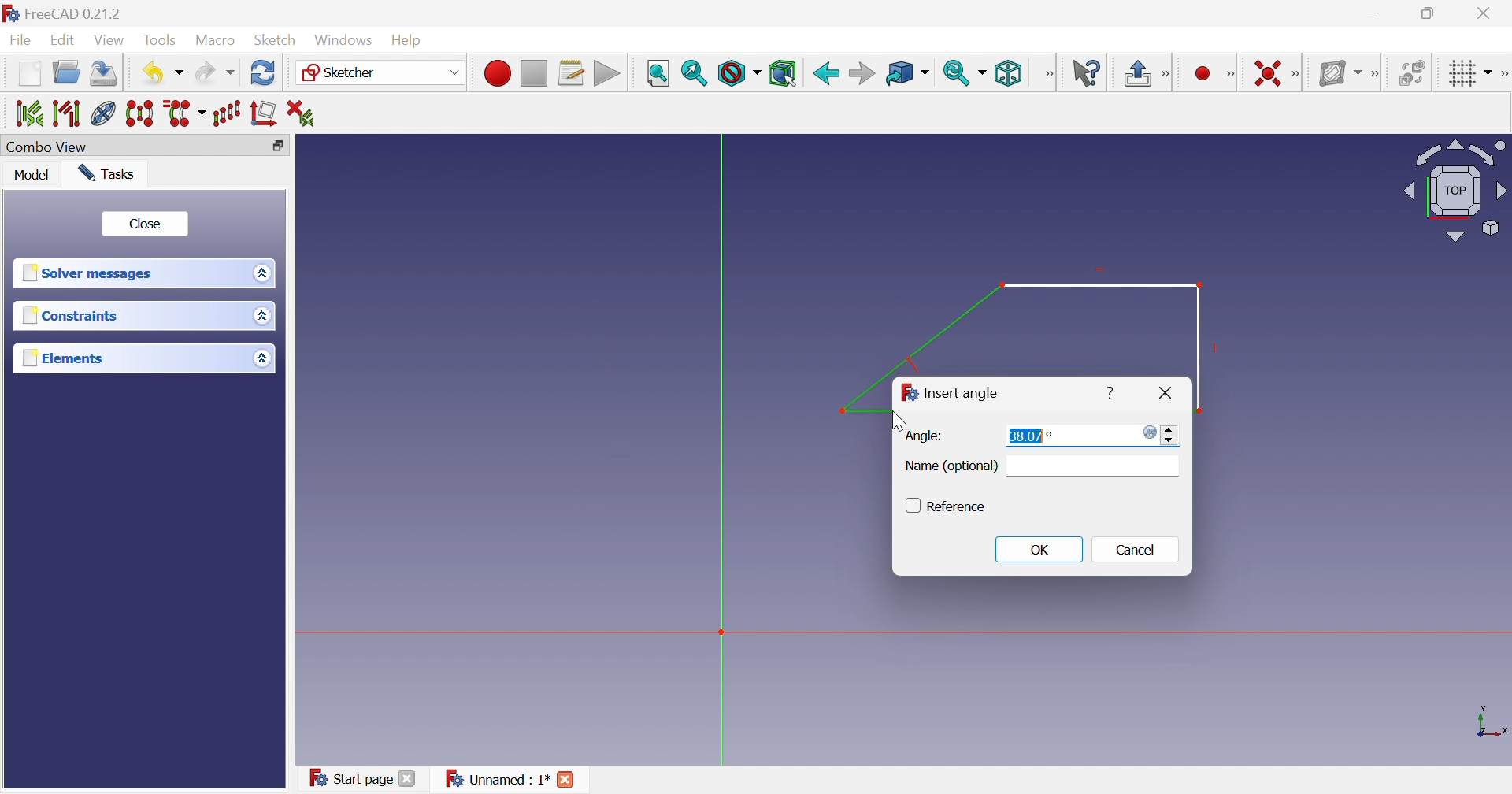  I want to click on More, so click(1048, 73).